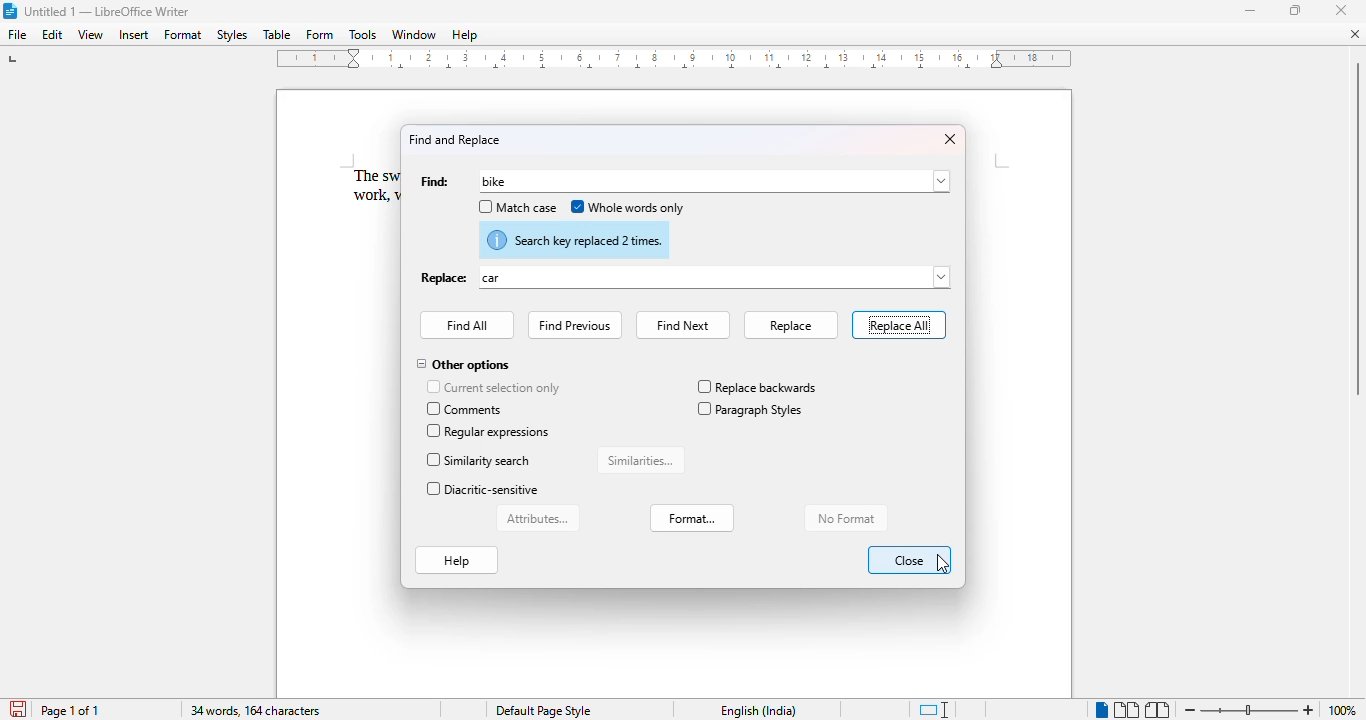  Describe the element at coordinates (1357, 227) in the screenshot. I see `Vertical scroll bar` at that location.